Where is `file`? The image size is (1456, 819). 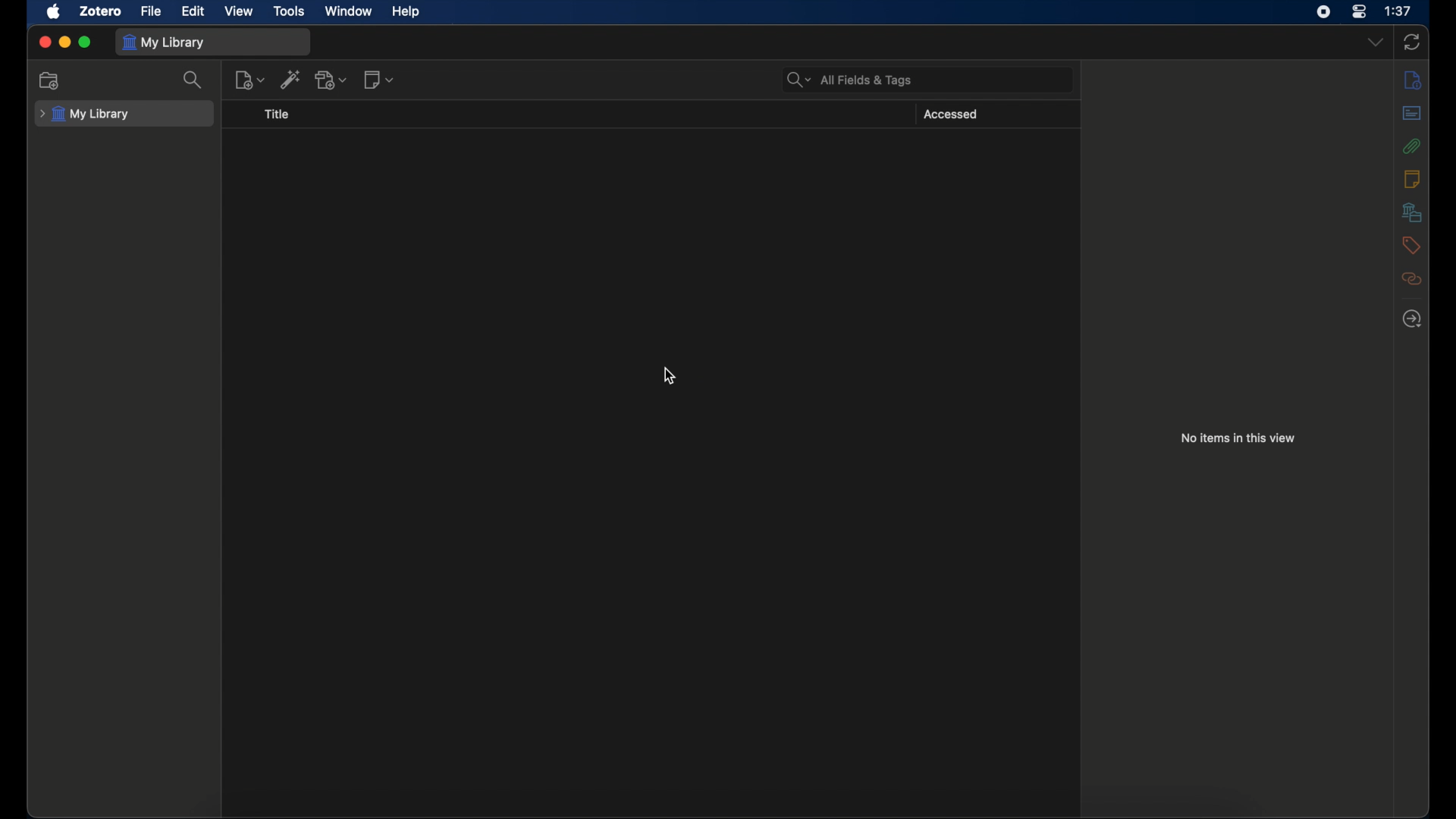
file is located at coordinates (151, 11).